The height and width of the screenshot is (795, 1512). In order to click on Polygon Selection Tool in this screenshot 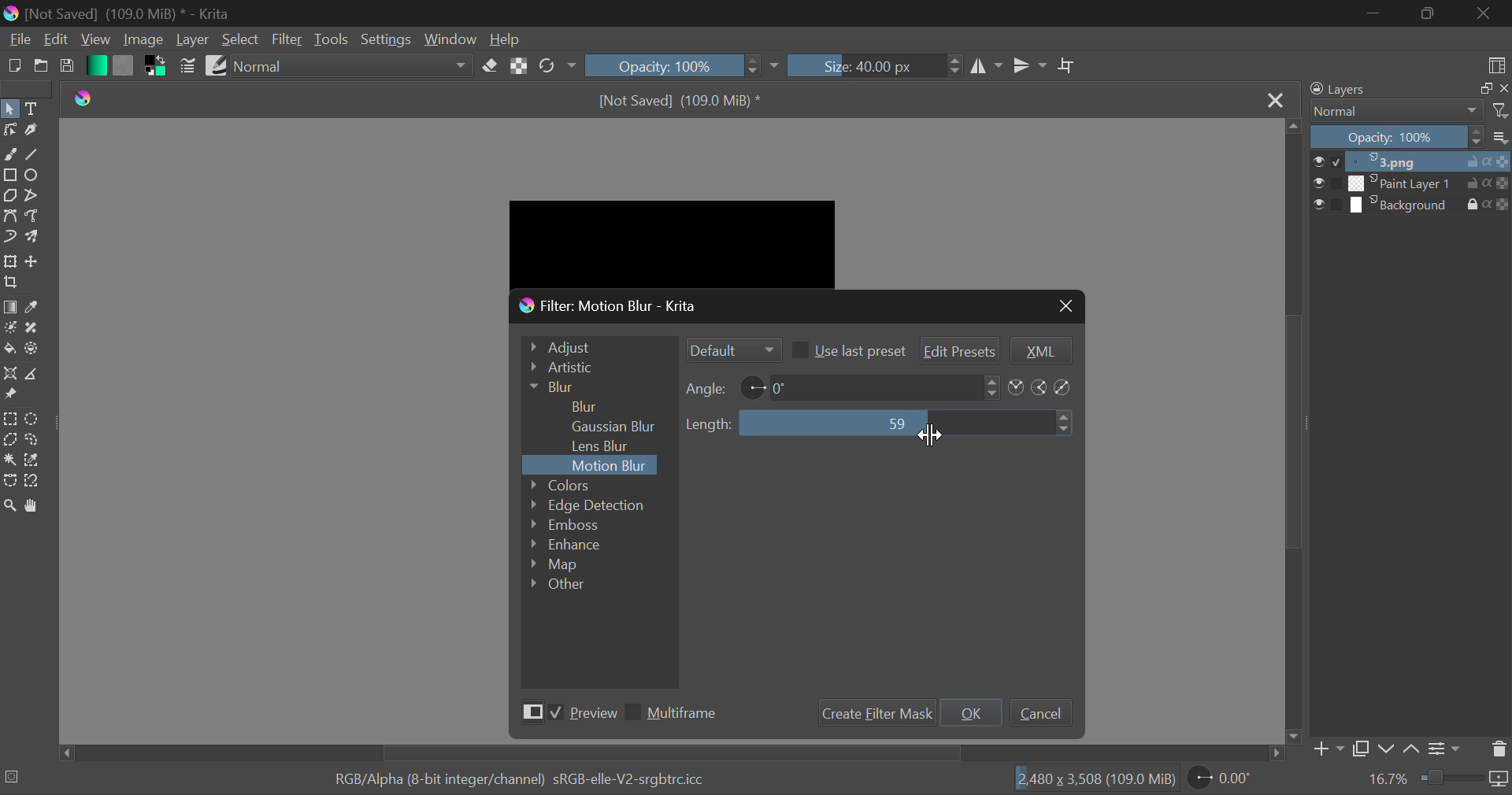, I will do `click(9, 439)`.